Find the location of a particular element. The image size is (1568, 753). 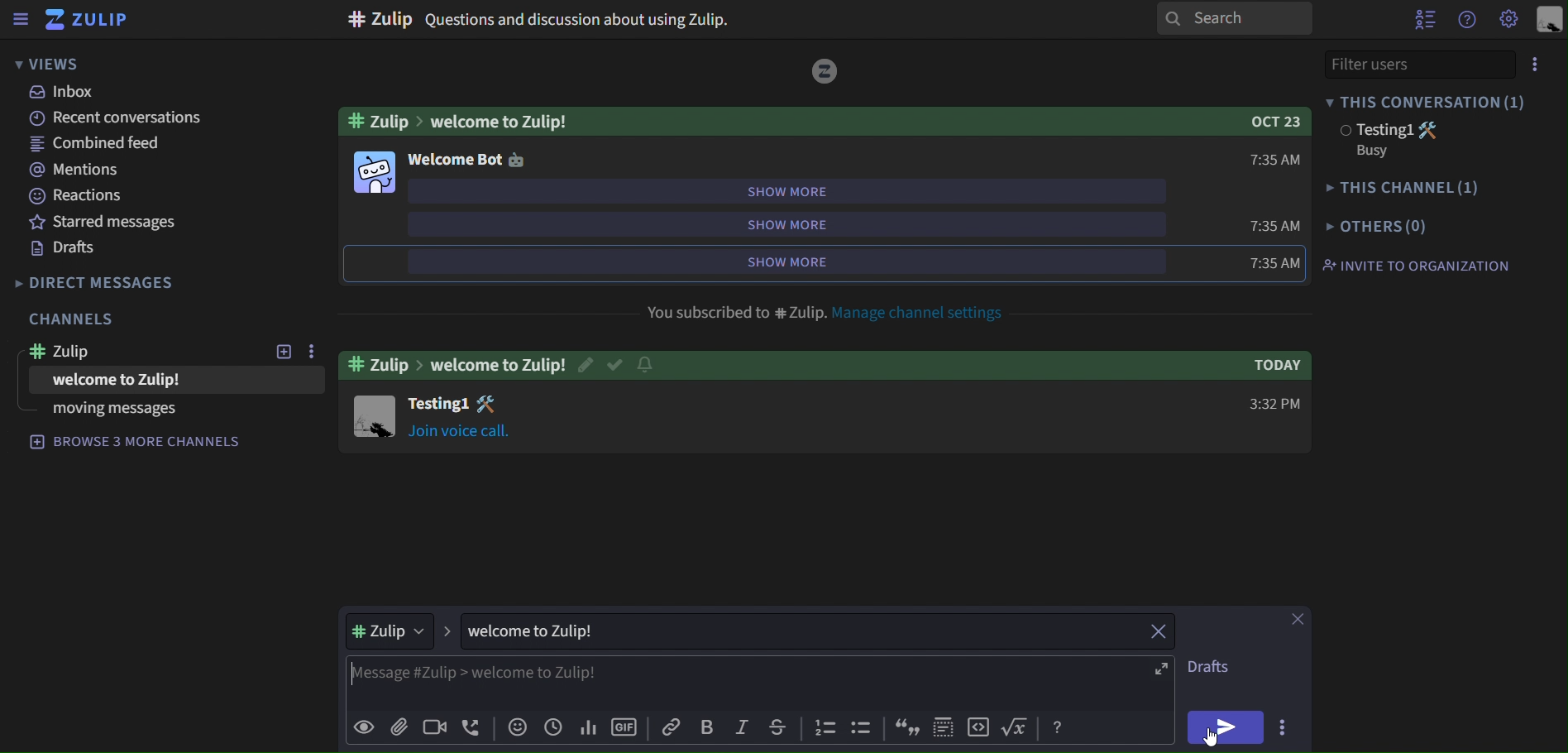

#Zulip>welcome to Zulip! is located at coordinates (461, 122).